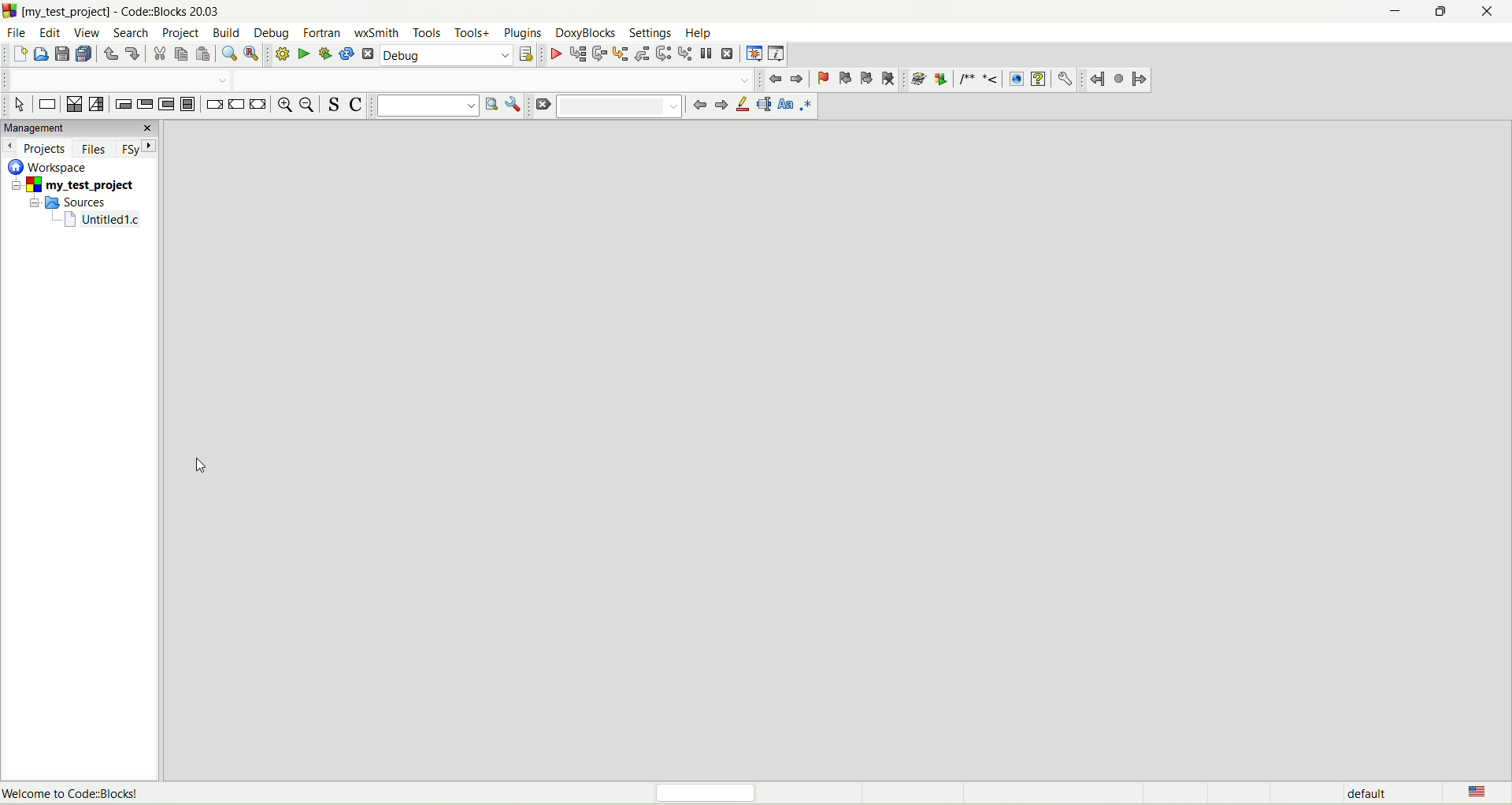  What do you see at coordinates (286, 105) in the screenshot?
I see `zoom in` at bounding box center [286, 105].